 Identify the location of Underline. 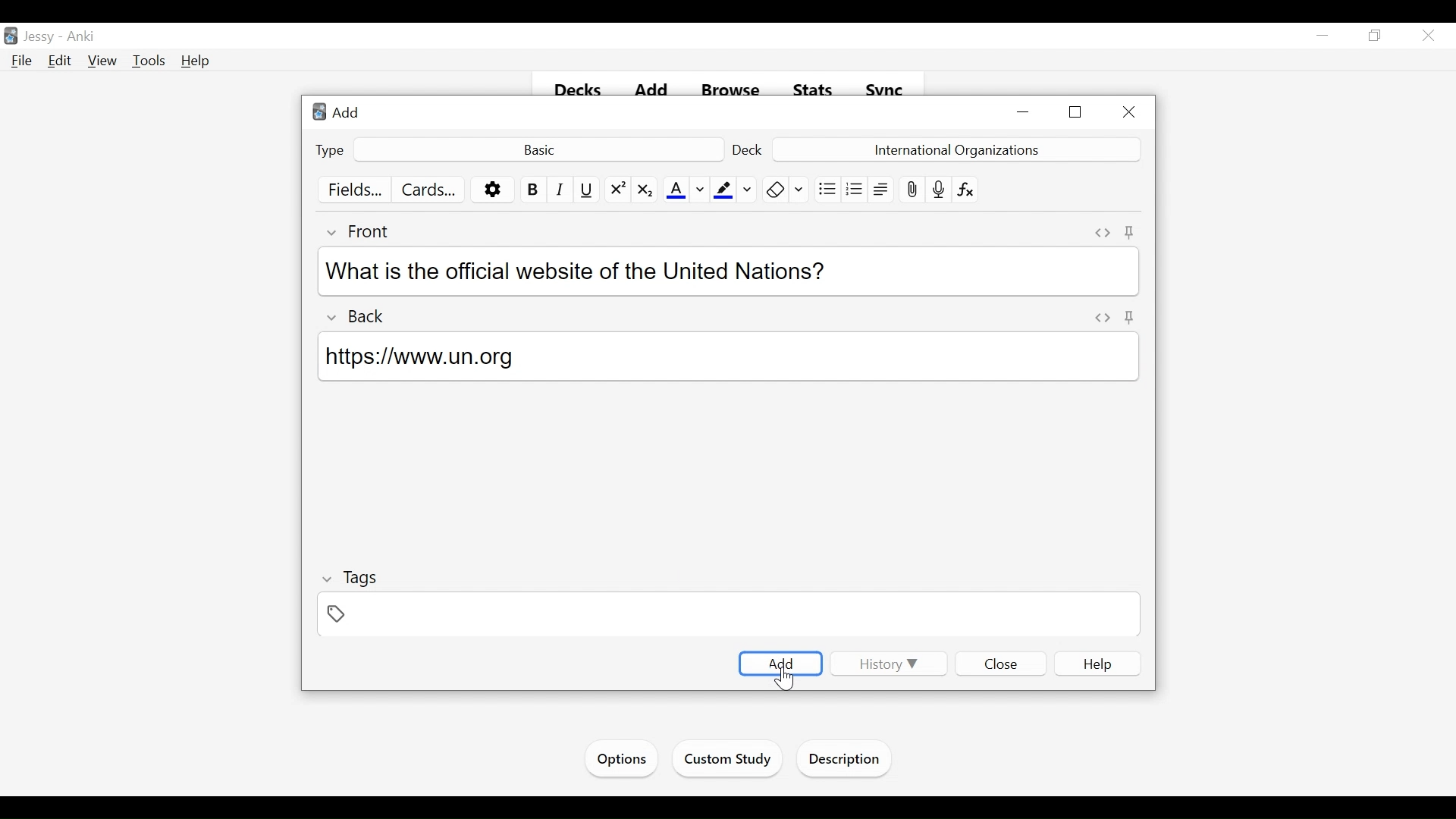
(588, 190).